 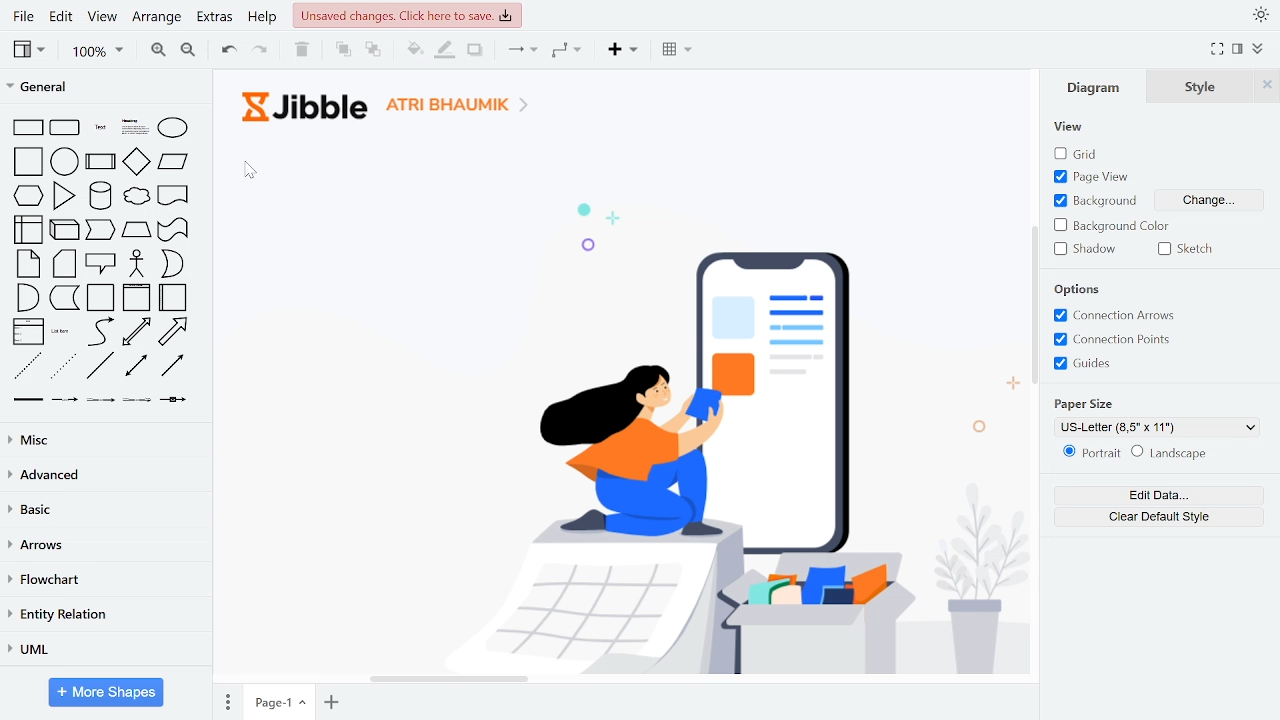 I want to click on Paper size, so click(x=1091, y=403).